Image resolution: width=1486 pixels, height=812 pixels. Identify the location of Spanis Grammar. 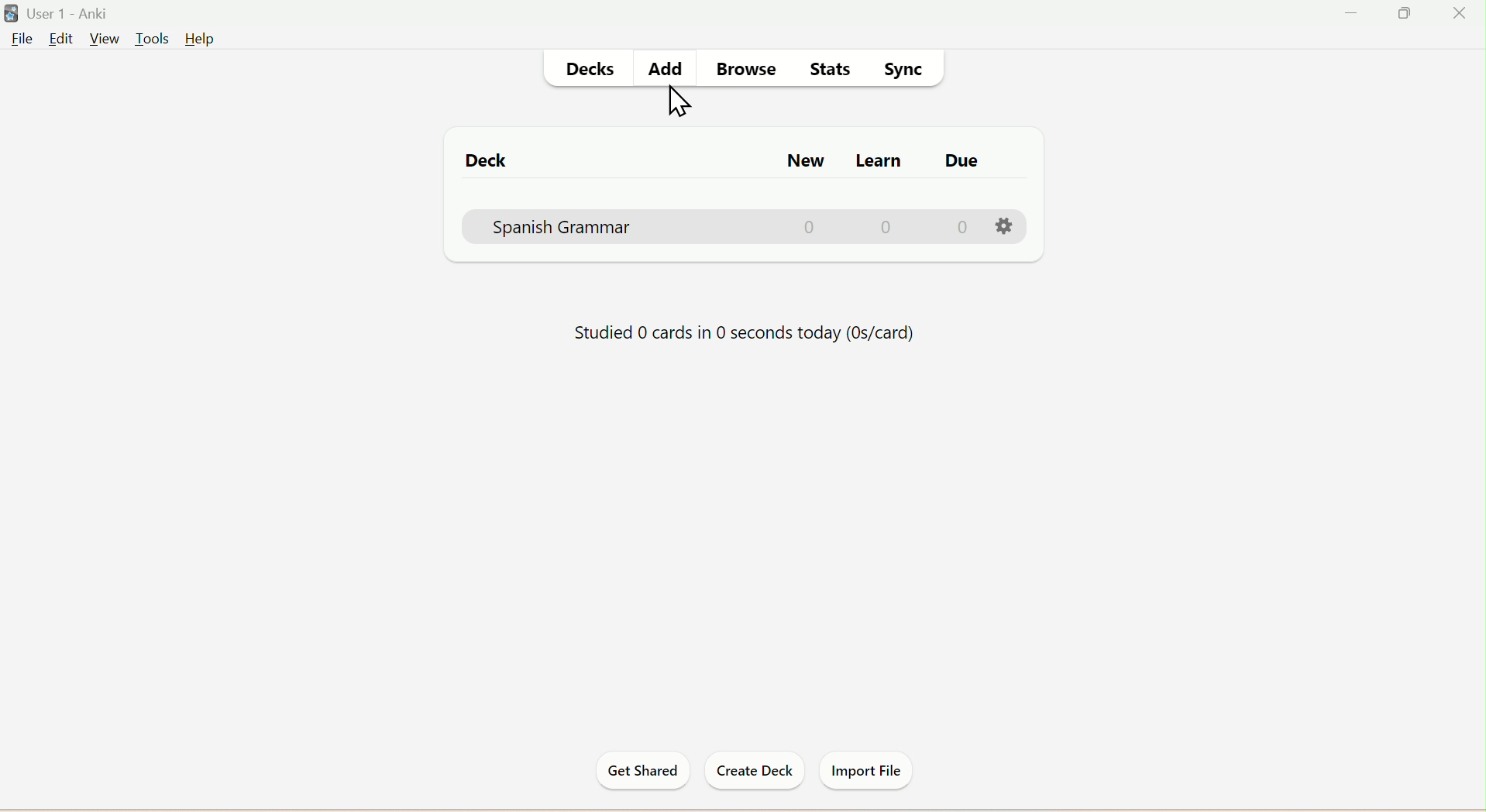
(756, 227).